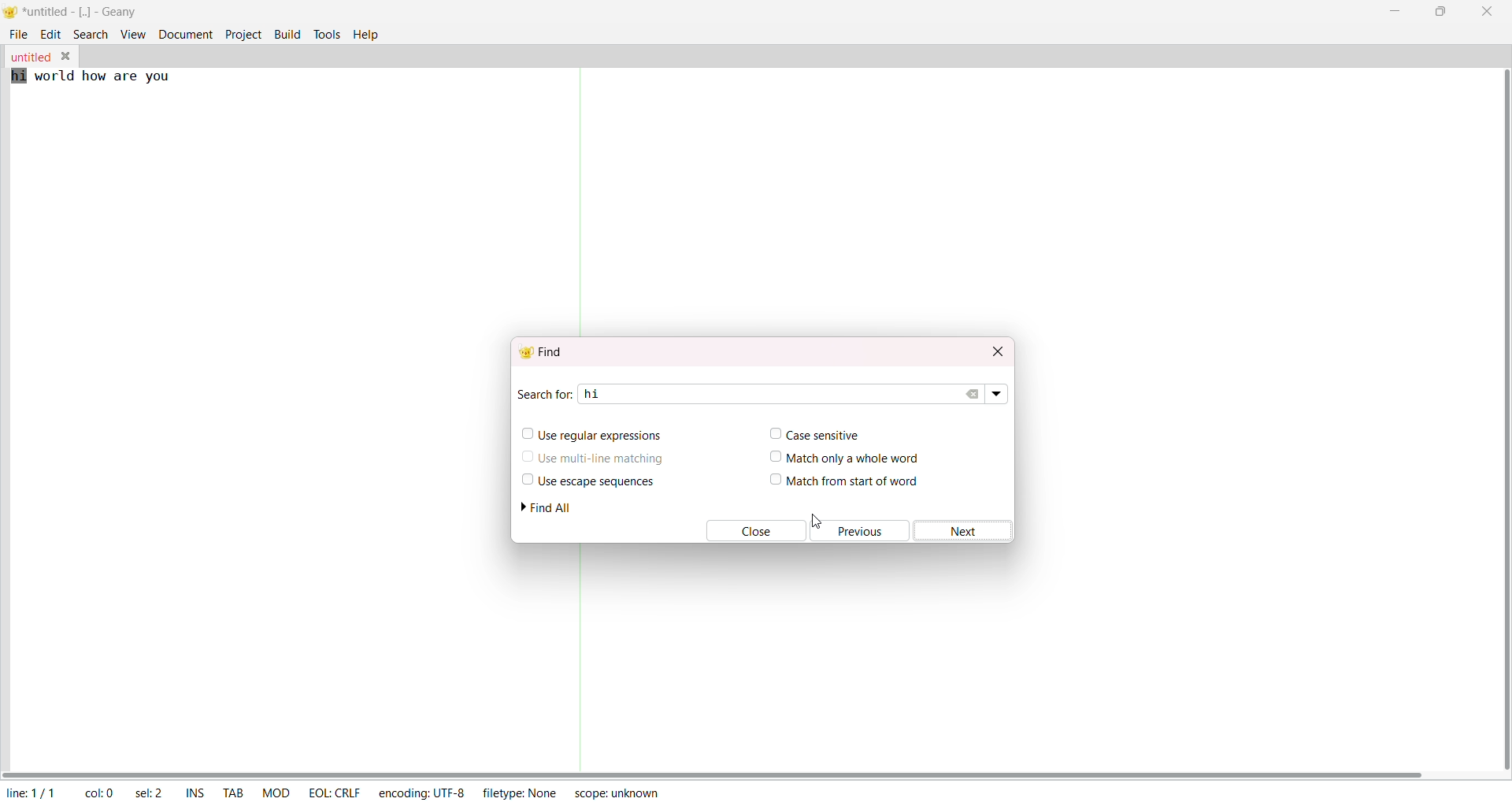 The width and height of the screenshot is (1512, 802). I want to click on separator, so click(584, 202).